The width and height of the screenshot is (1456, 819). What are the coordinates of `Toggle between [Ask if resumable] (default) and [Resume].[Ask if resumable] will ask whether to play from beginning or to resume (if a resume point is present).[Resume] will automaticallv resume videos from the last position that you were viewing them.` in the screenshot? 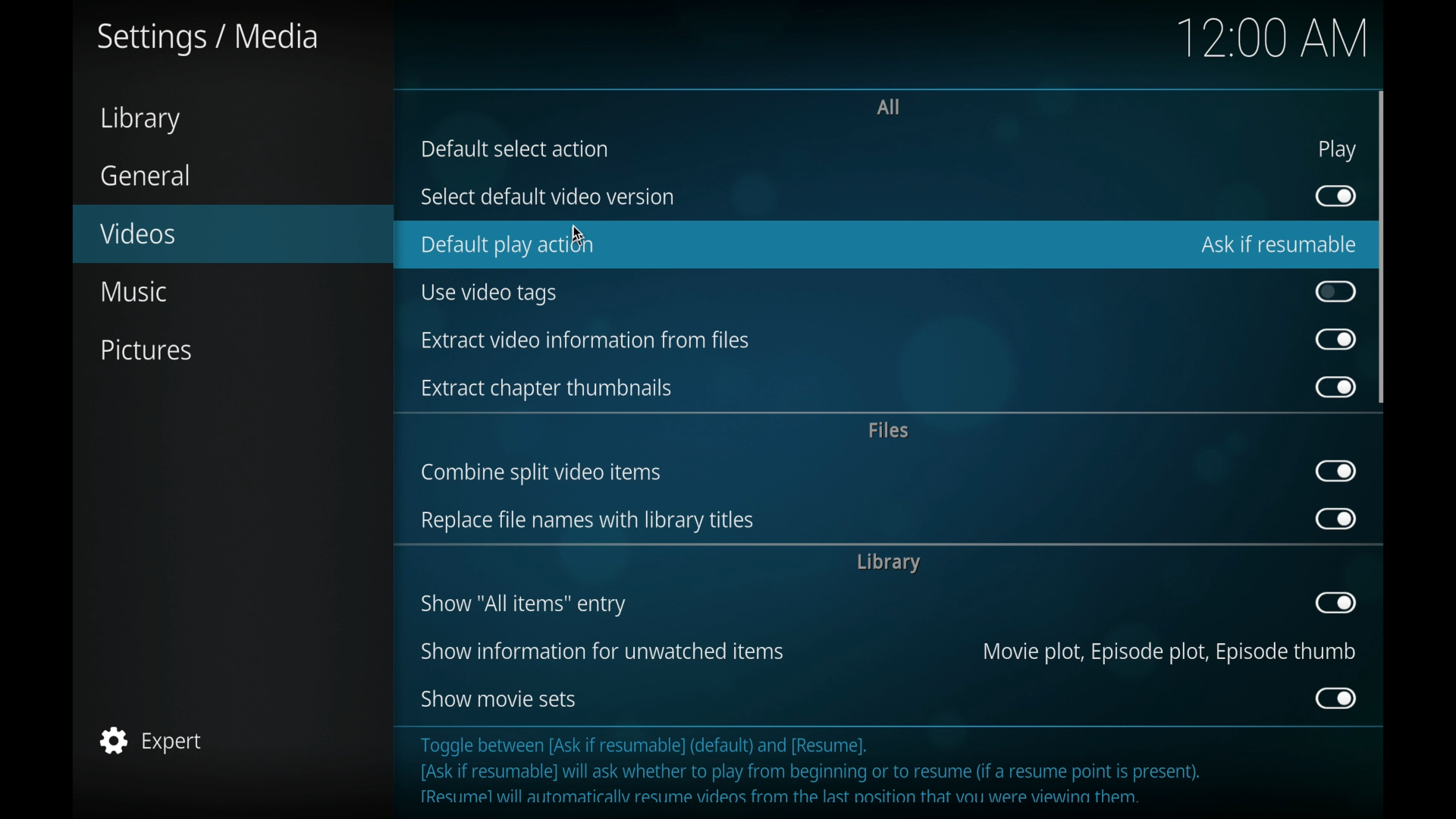 It's located at (825, 770).